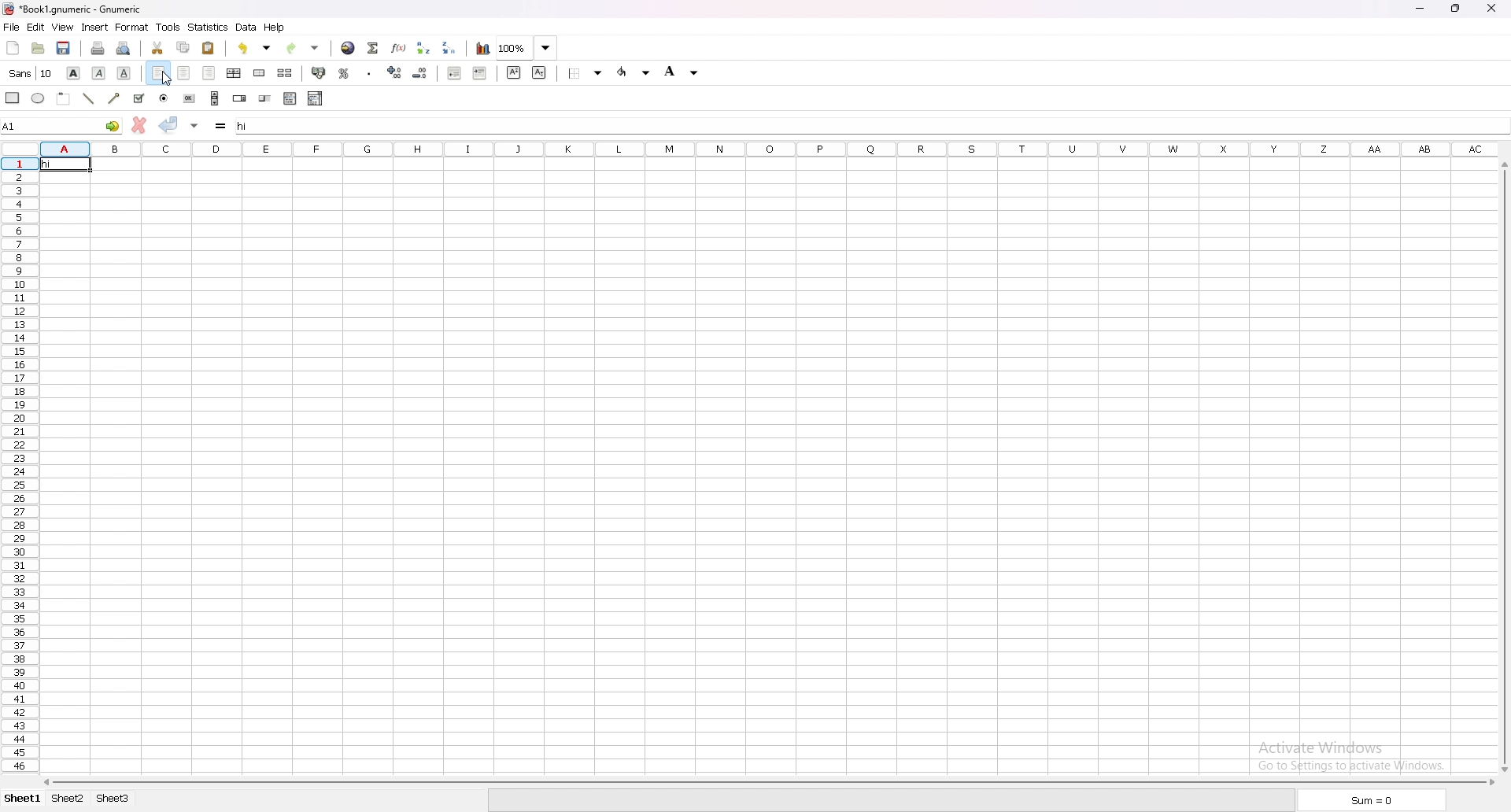  I want to click on new, so click(12, 47).